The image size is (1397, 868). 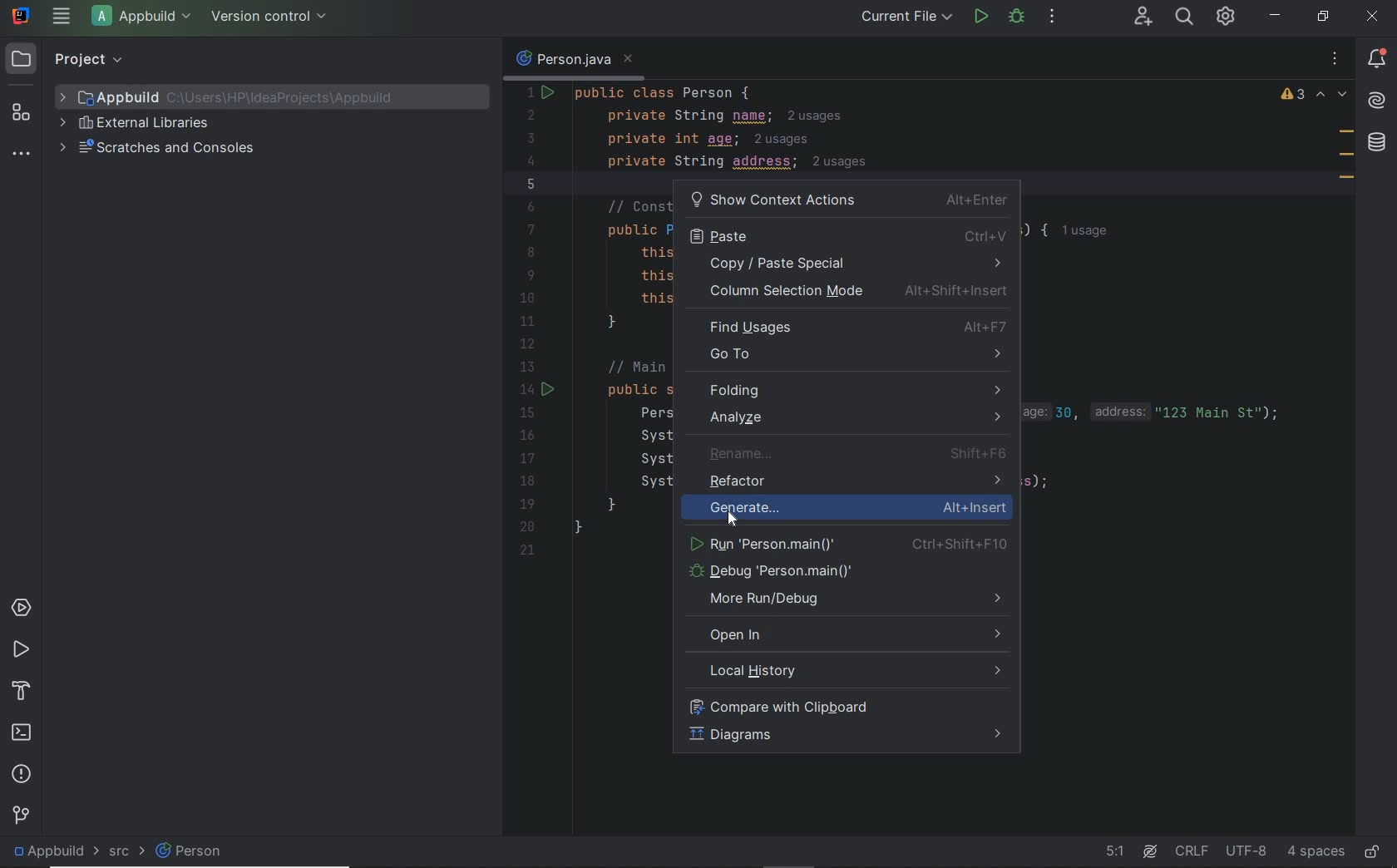 I want to click on rename, so click(x=852, y=455).